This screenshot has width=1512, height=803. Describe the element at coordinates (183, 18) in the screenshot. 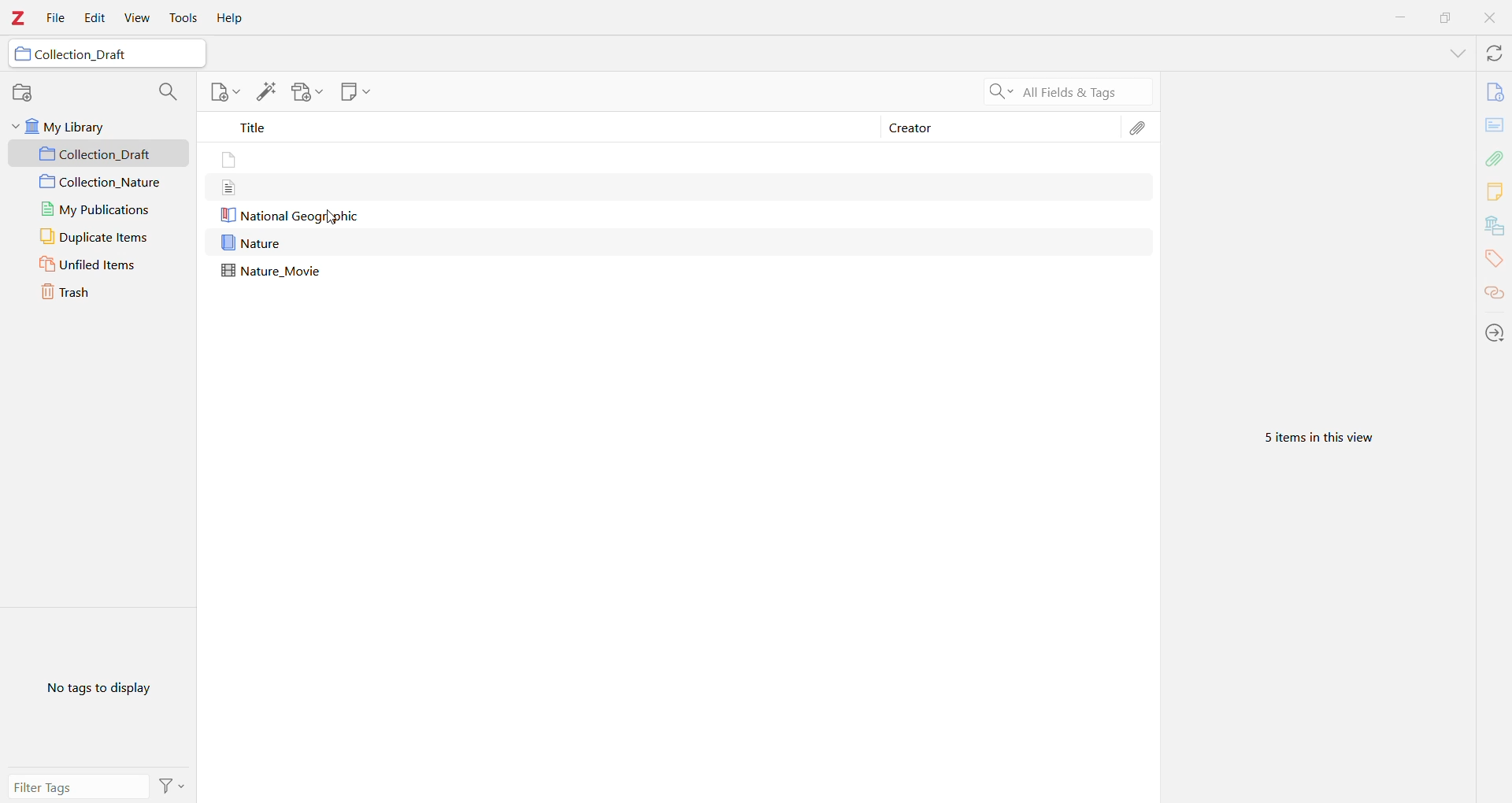

I see `Tools` at that location.